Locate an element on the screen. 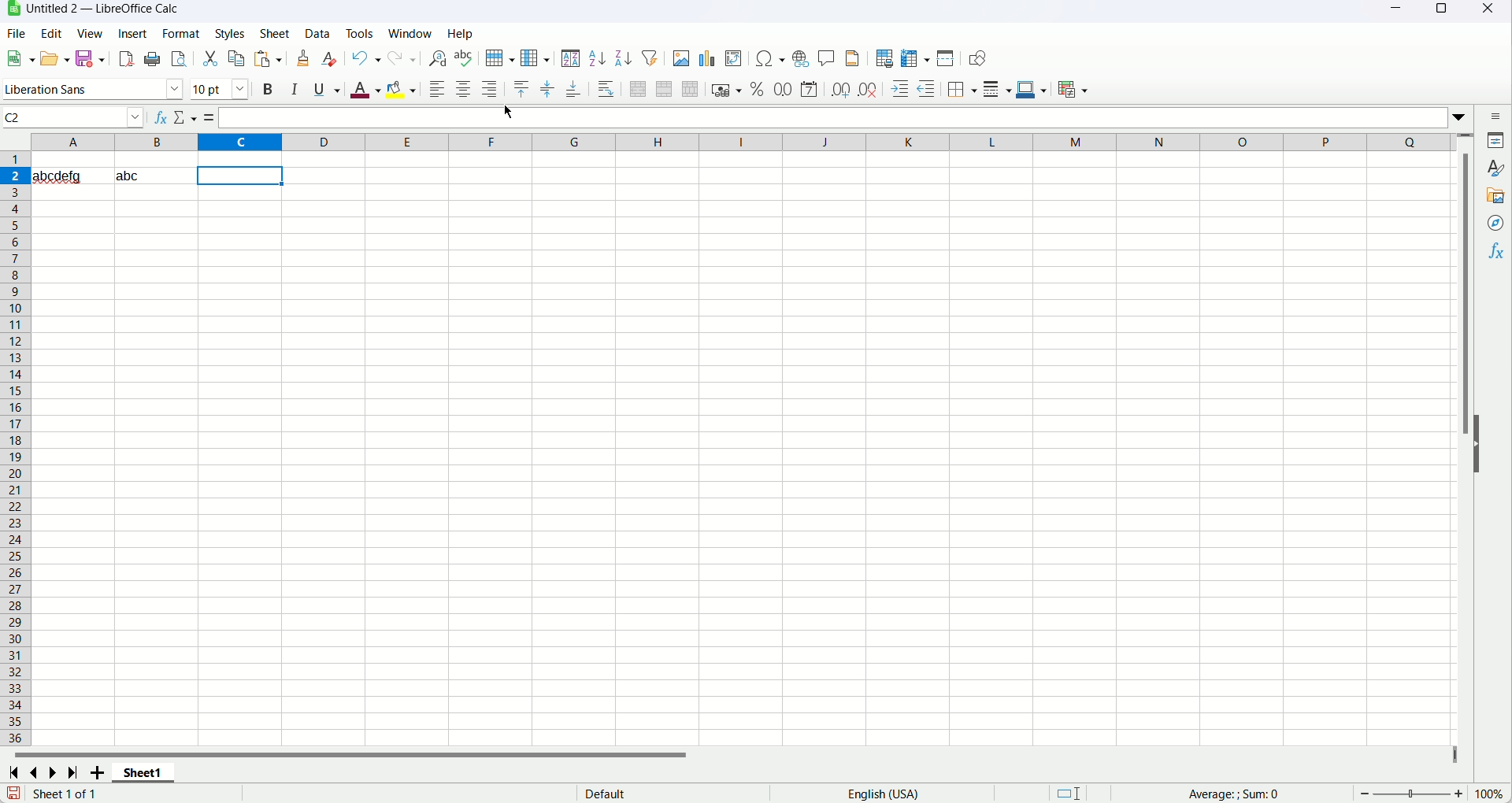 This screenshot has width=1512, height=803. freeze rows and colmn is located at coordinates (915, 58).